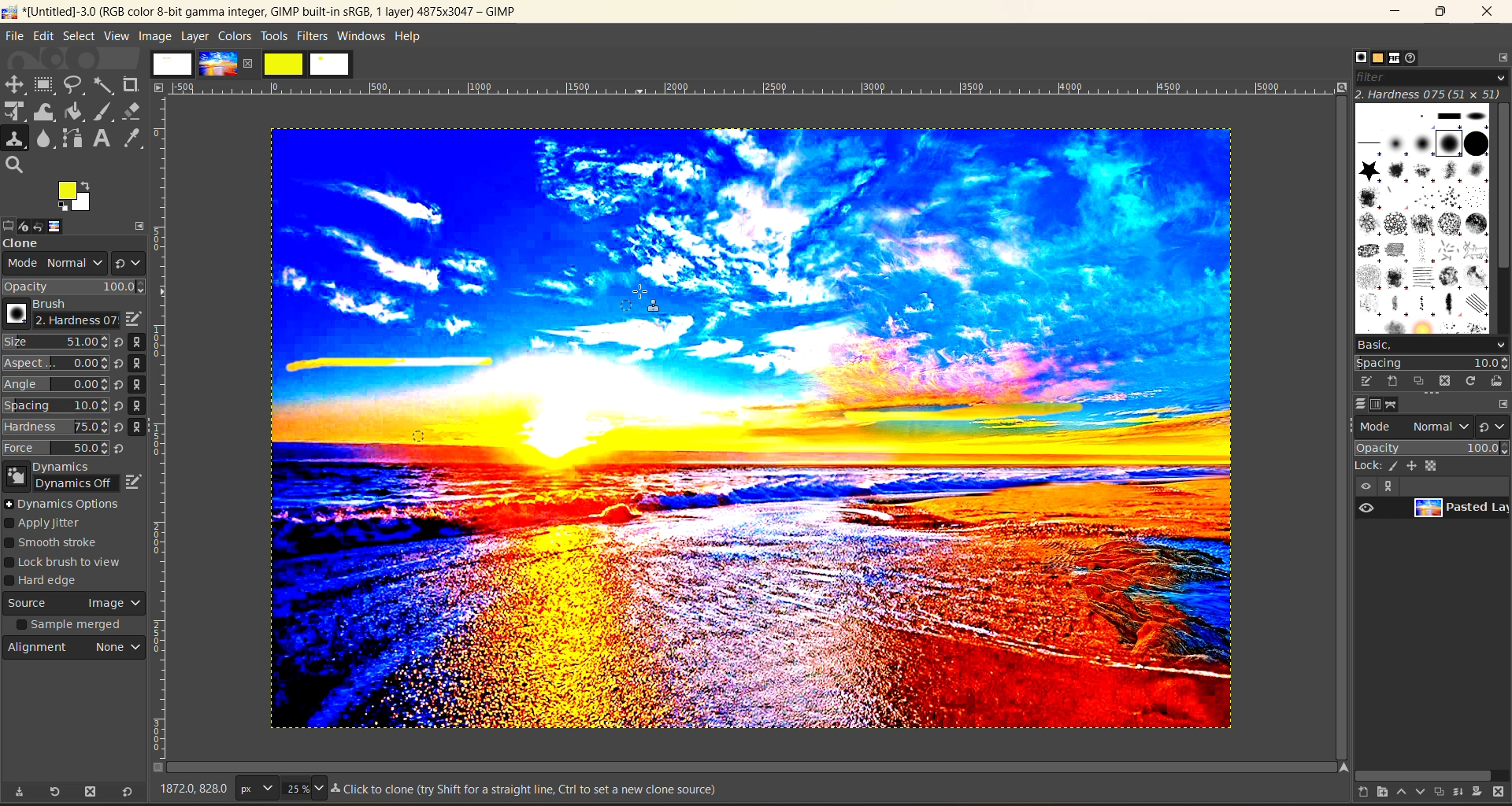 The height and width of the screenshot is (806, 1512). I want to click on tool options, so click(9, 224).